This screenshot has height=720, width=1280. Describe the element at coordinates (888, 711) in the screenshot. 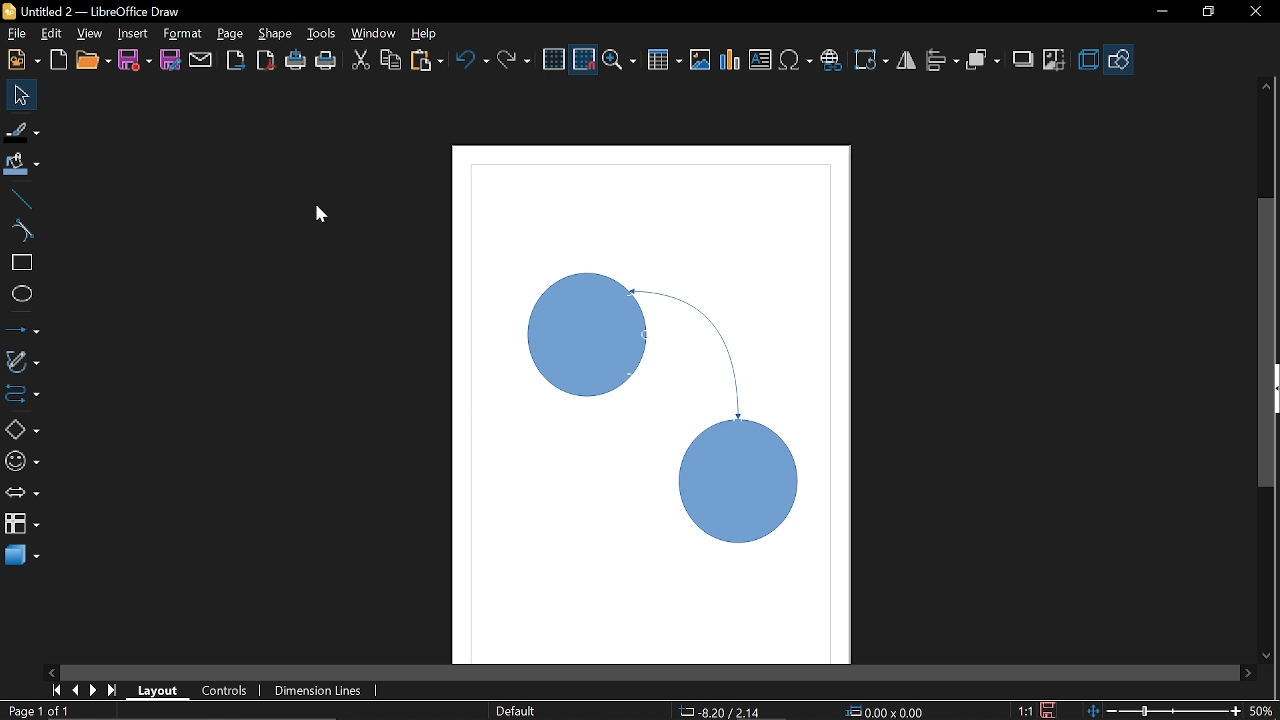

I see `Location` at that location.